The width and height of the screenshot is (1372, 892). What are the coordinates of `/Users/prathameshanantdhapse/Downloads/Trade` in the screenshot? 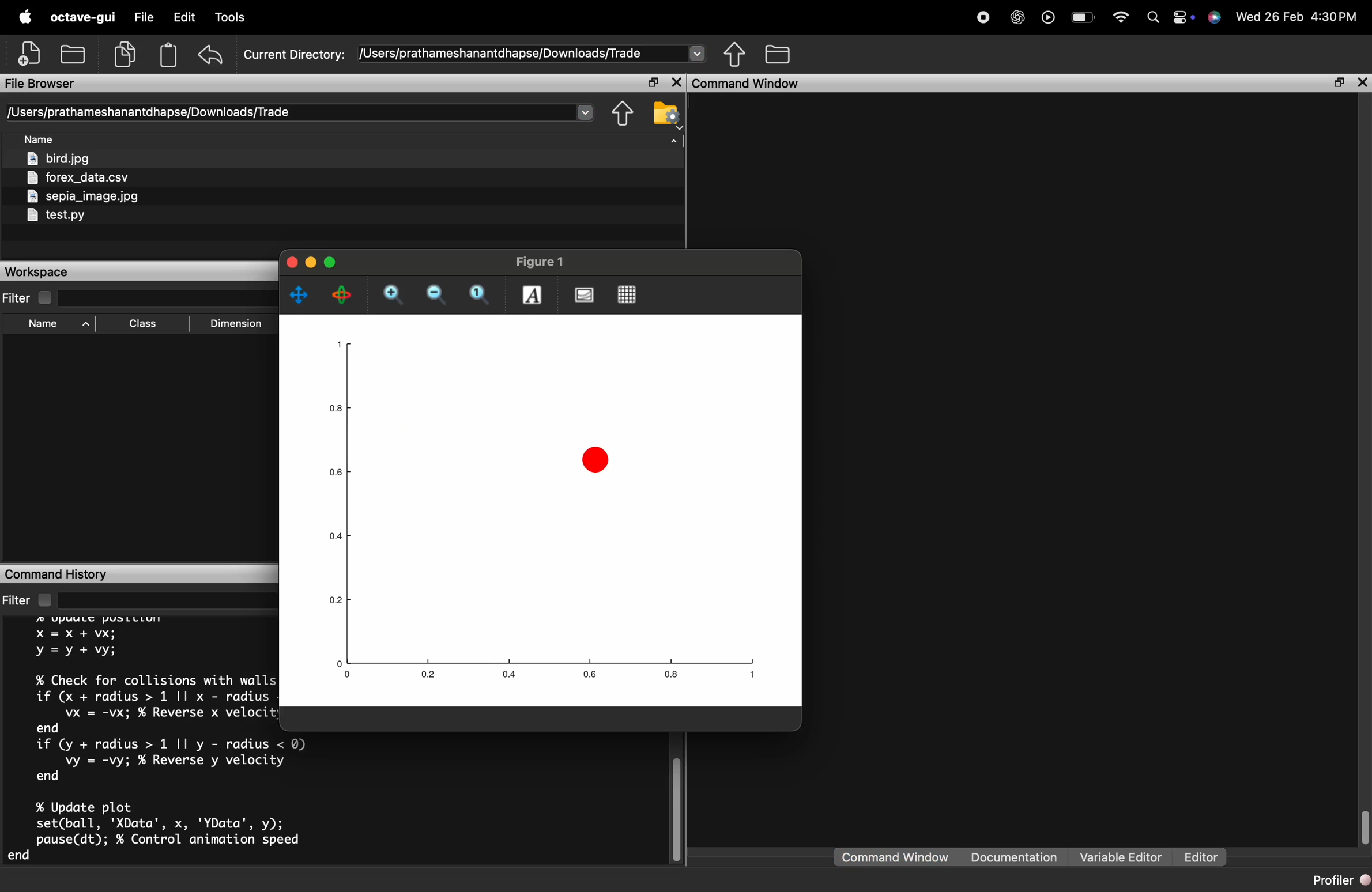 It's located at (504, 53).